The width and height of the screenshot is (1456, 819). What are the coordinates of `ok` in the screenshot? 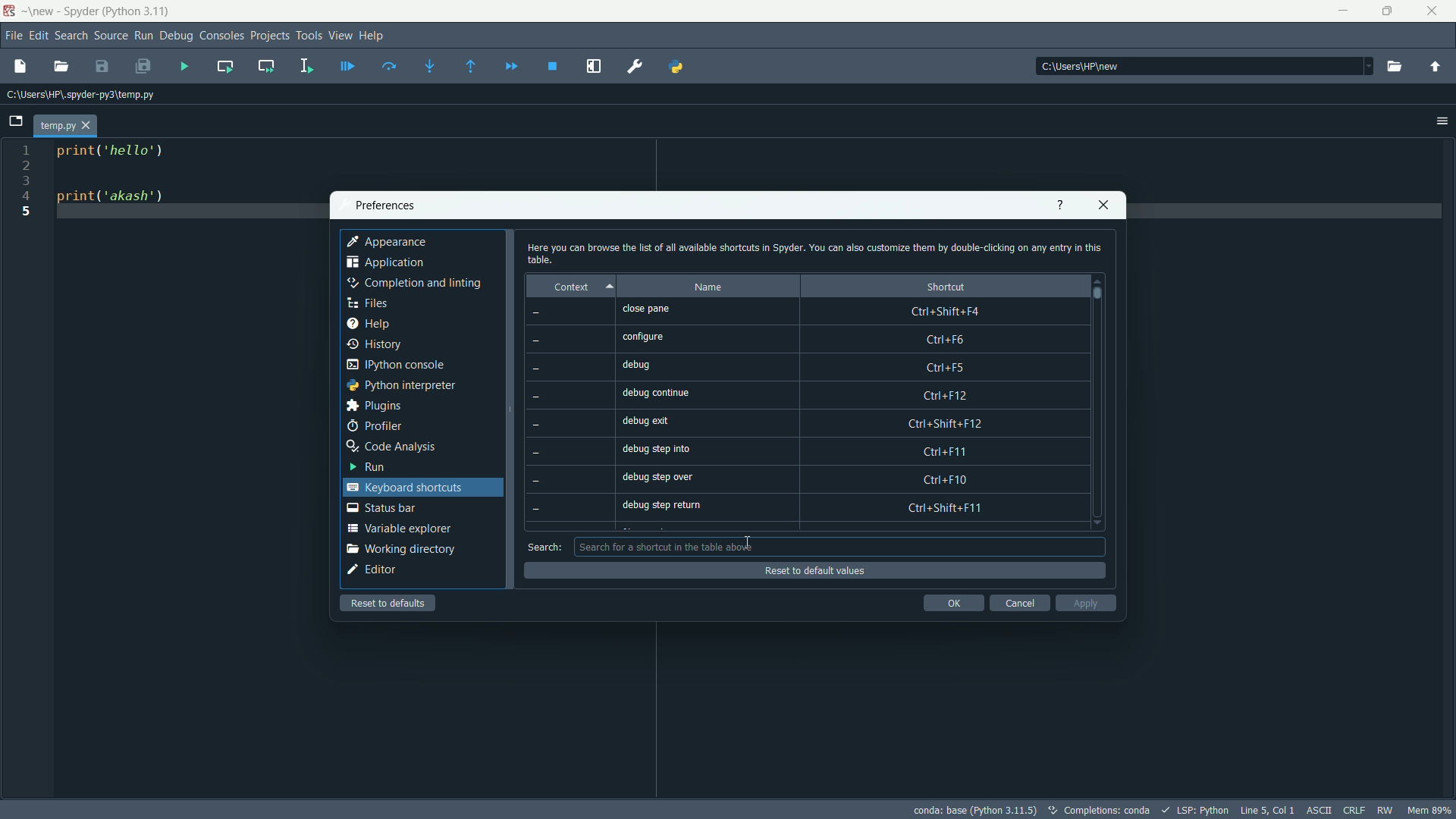 It's located at (952, 603).